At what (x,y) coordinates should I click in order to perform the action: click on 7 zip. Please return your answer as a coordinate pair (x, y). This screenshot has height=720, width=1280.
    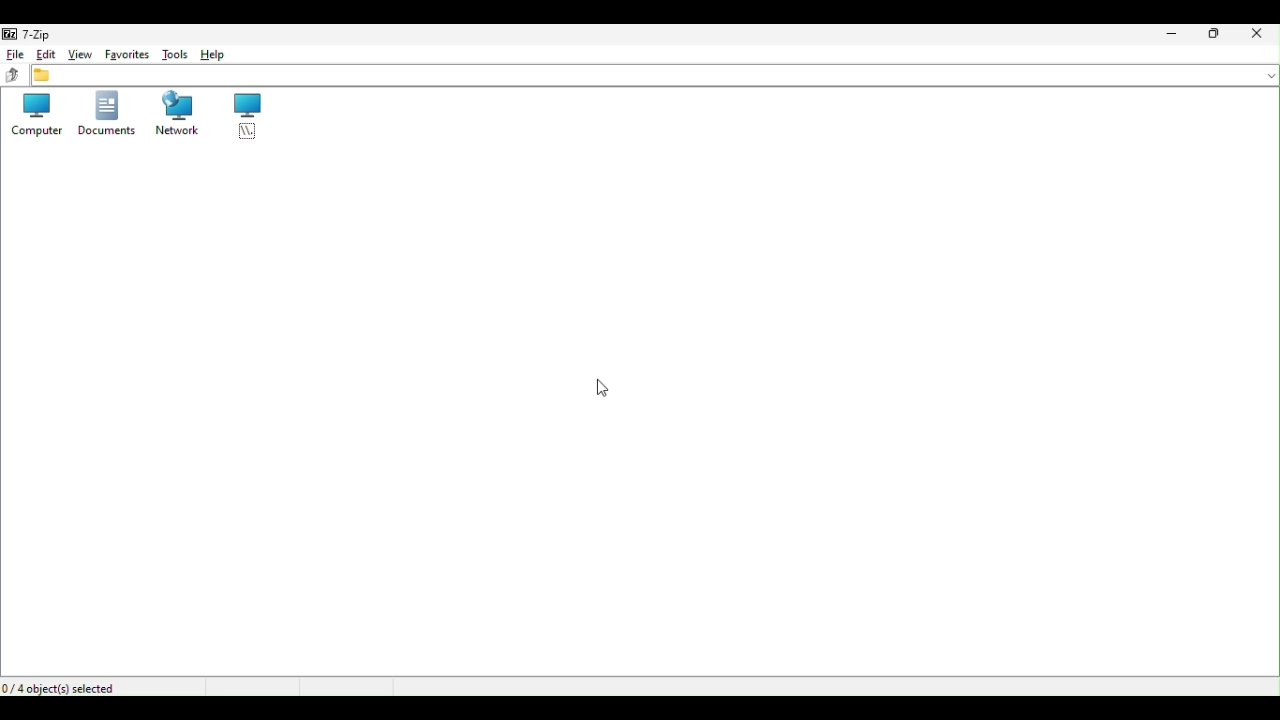
    Looking at the image, I should click on (36, 34).